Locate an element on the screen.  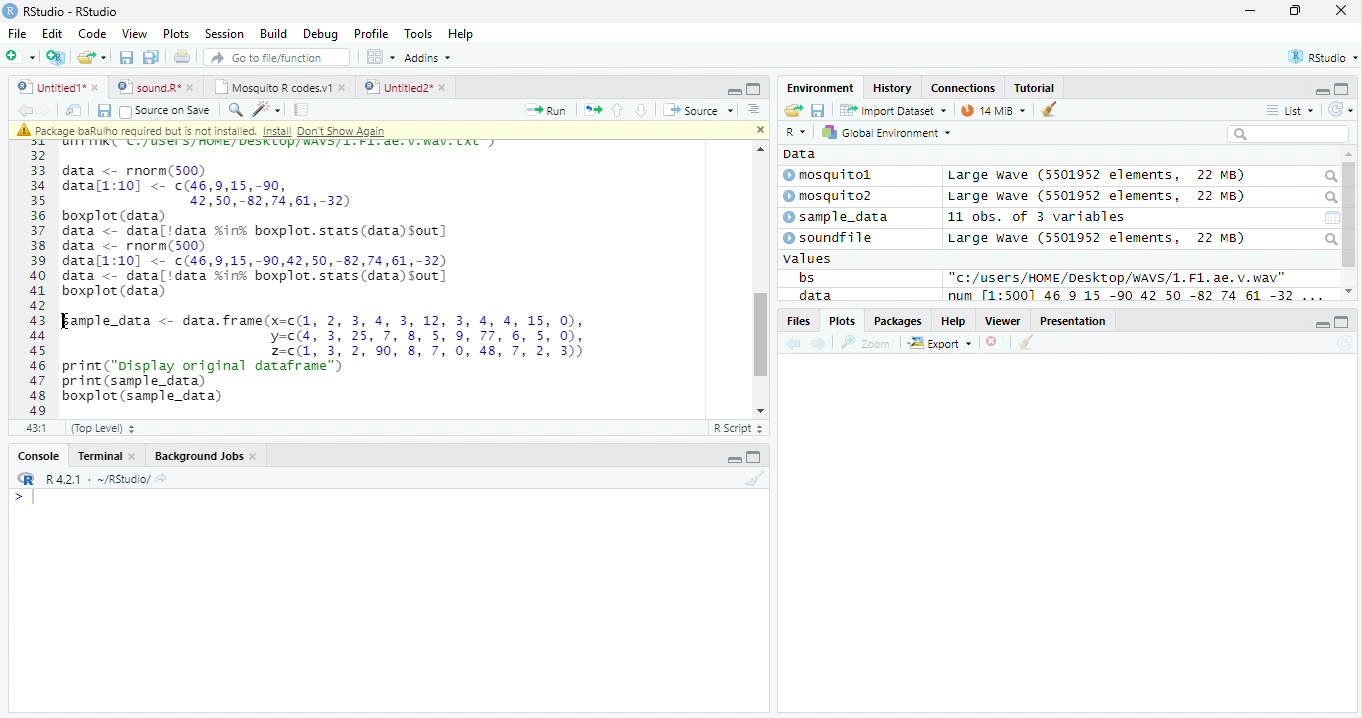
sample_data is located at coordinates (838, 218).